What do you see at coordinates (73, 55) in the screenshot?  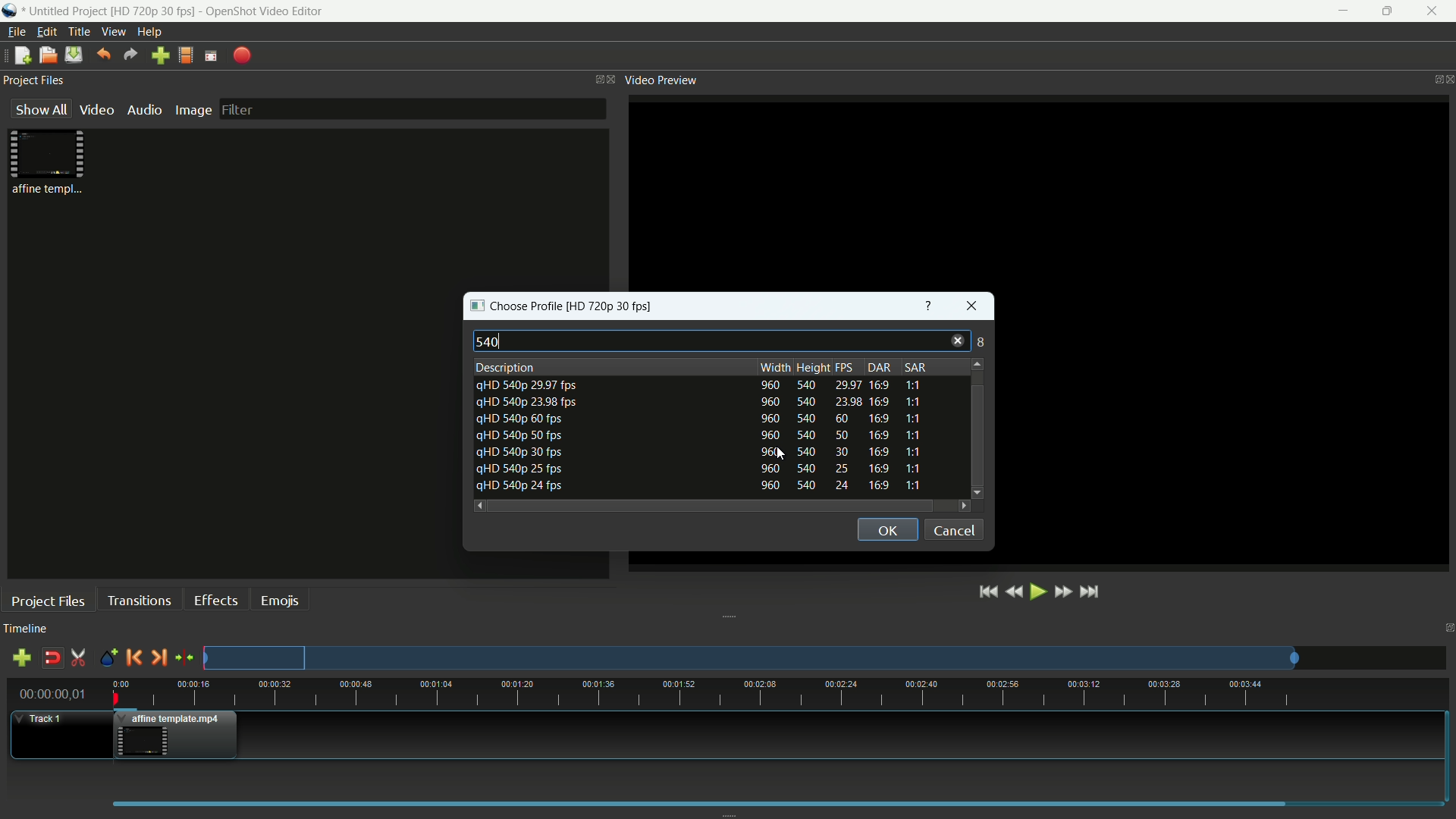 I see `save files` at bounding box center [73, 55].